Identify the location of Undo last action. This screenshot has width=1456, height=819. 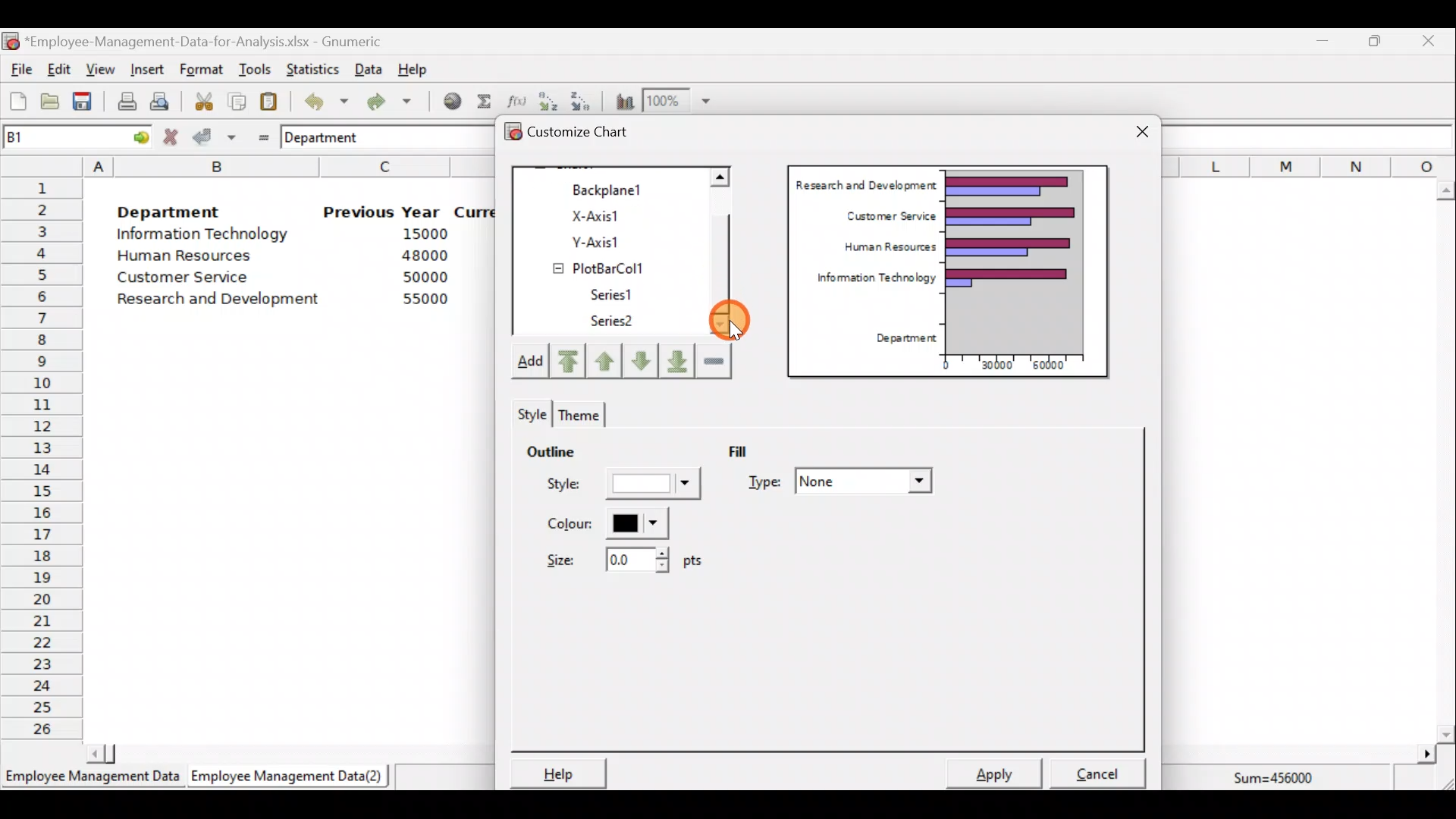
(318, 98).